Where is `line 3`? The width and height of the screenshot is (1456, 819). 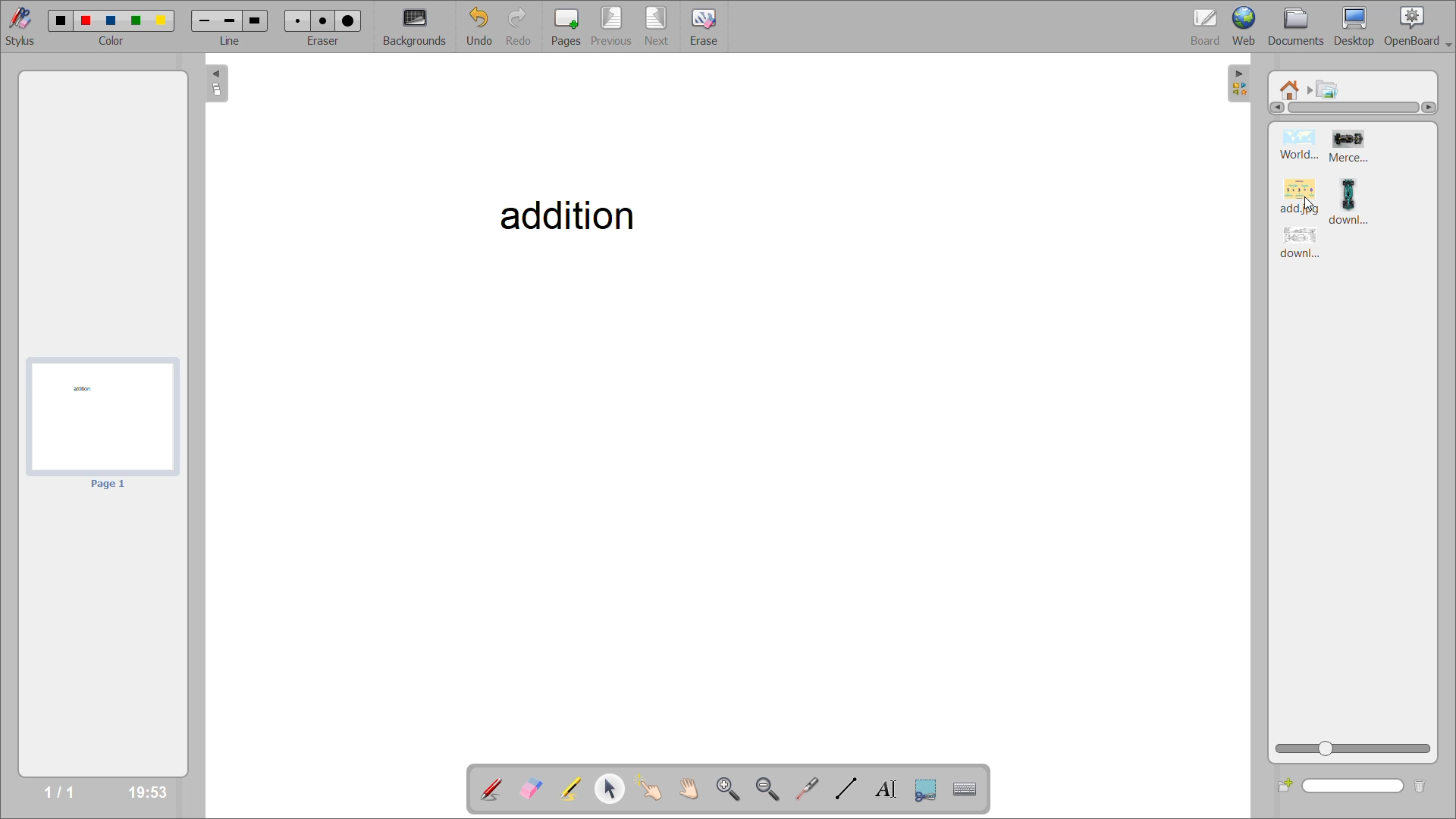 line 3 is located at coordinates (254, 20).